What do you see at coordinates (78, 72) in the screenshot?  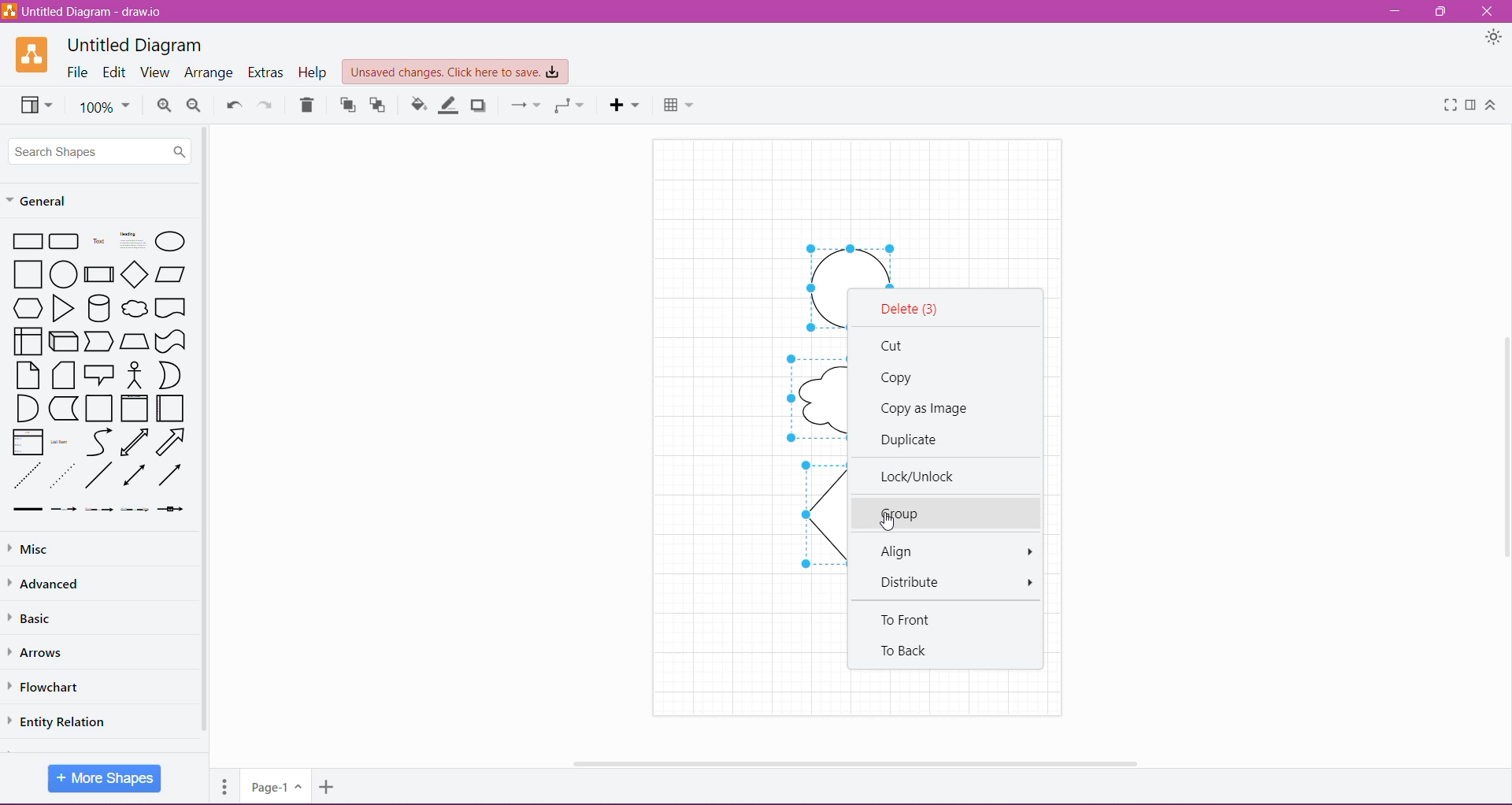 I see `File` at bounding box center [78, 72].